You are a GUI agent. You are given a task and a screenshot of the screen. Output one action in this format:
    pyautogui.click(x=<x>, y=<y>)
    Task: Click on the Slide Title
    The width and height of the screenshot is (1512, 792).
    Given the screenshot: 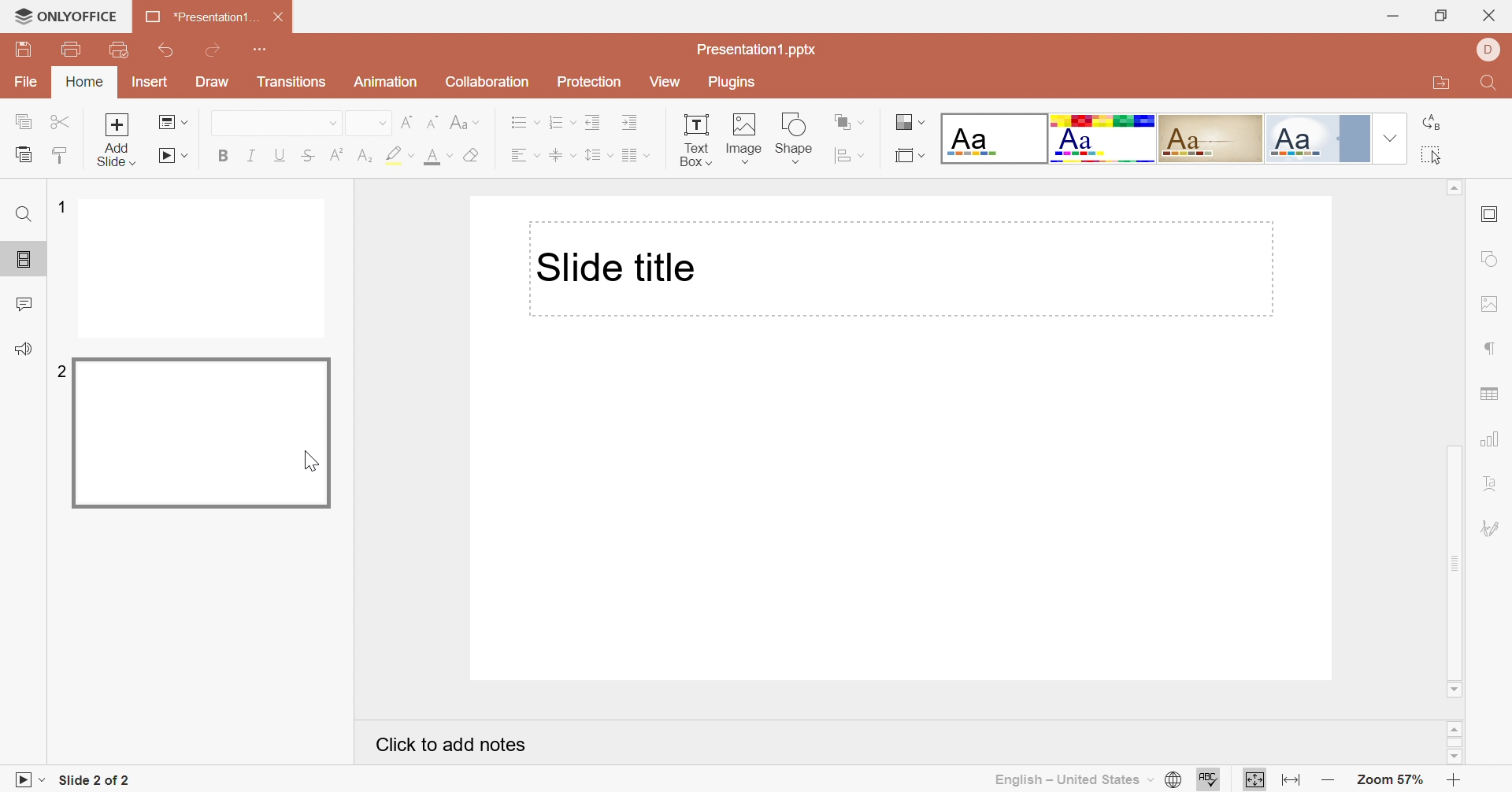 What is the action you would take?
    pyautogui.click(x=617, y=265)
    